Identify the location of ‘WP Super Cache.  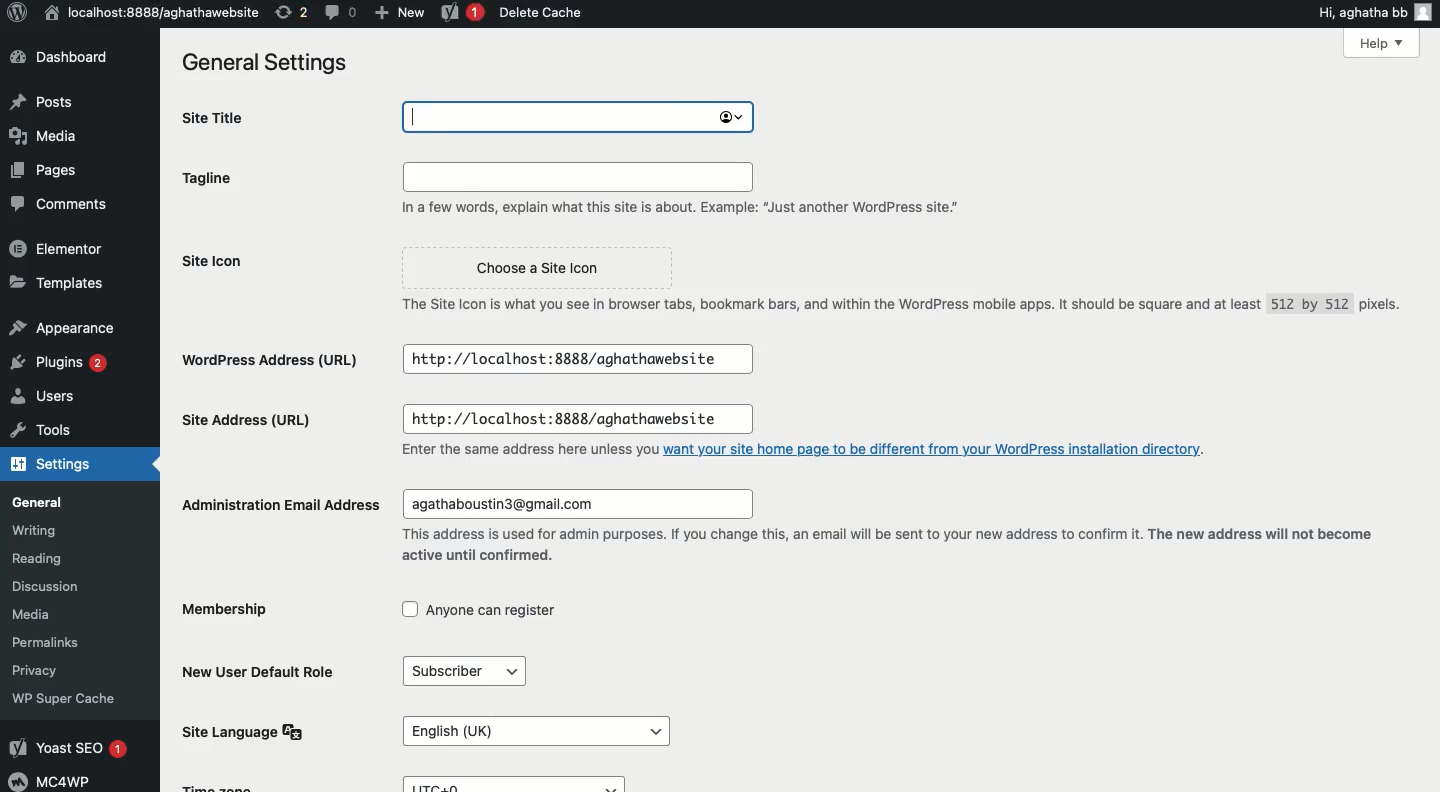
(65, 698).